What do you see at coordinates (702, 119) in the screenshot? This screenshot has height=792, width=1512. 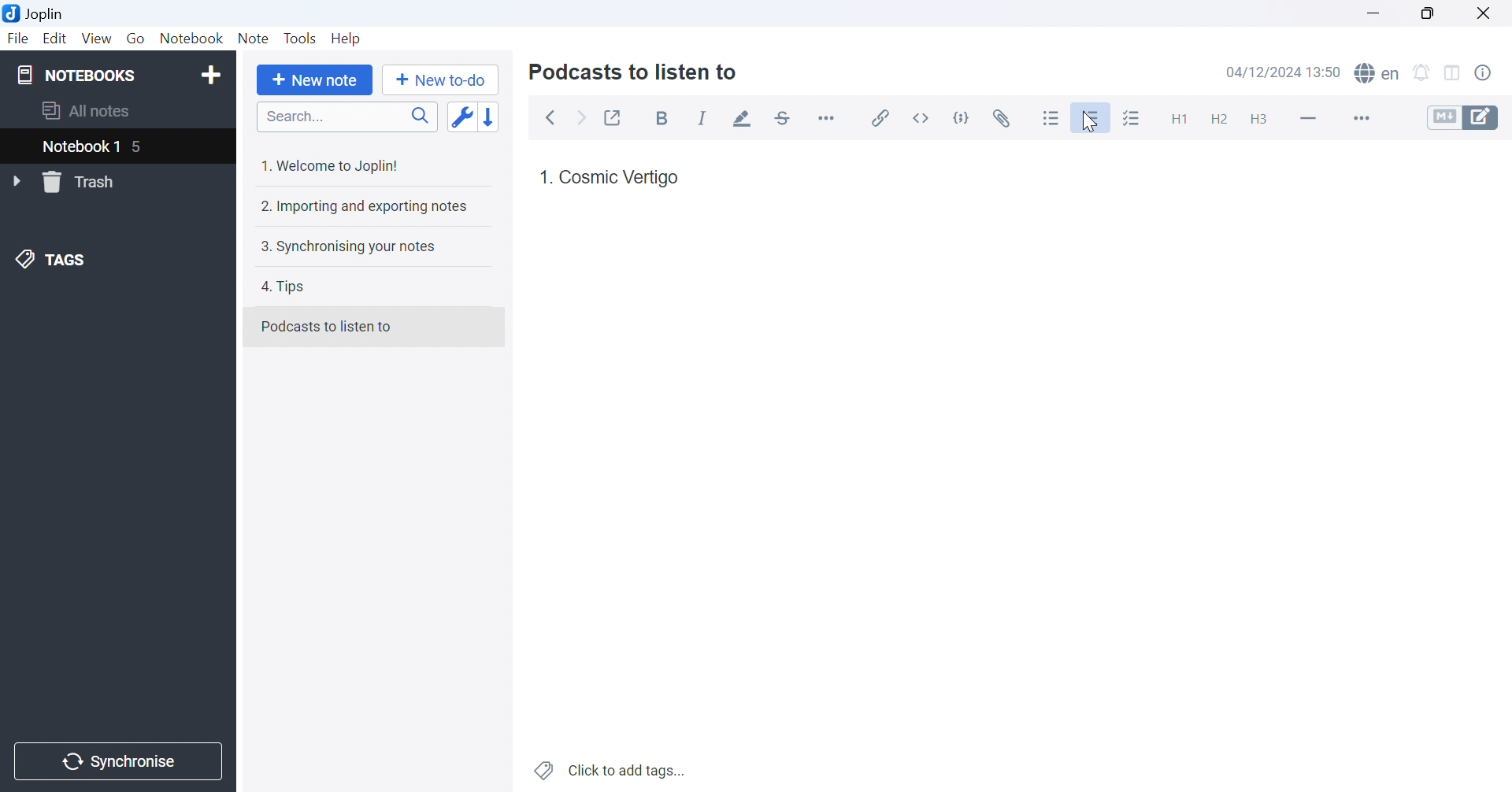 I see `Italic` at bounding box center [702, 119].